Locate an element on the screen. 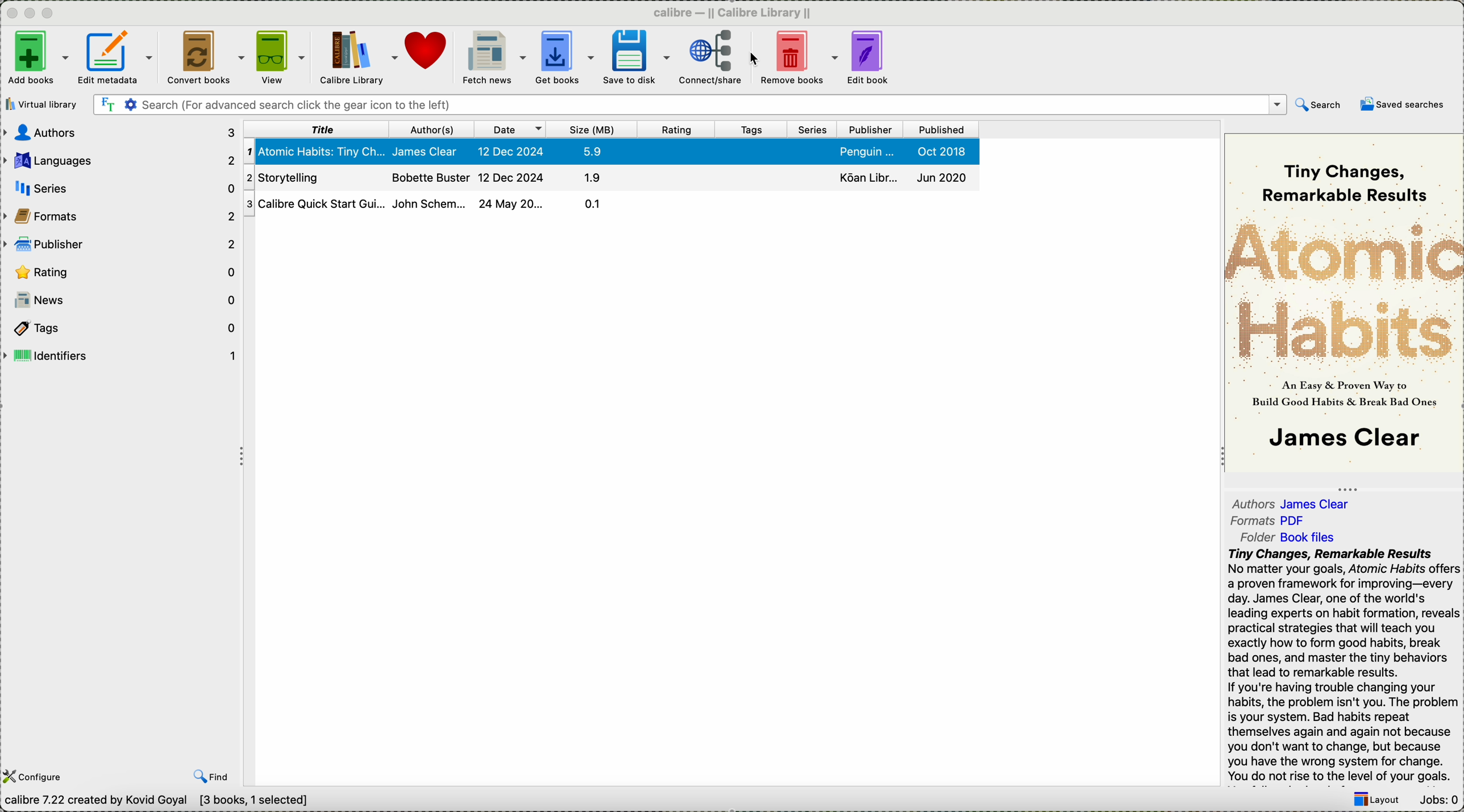 Image resolution: width=1464 pixels, height=812 pixels. data is located at coordinates (162, 802).